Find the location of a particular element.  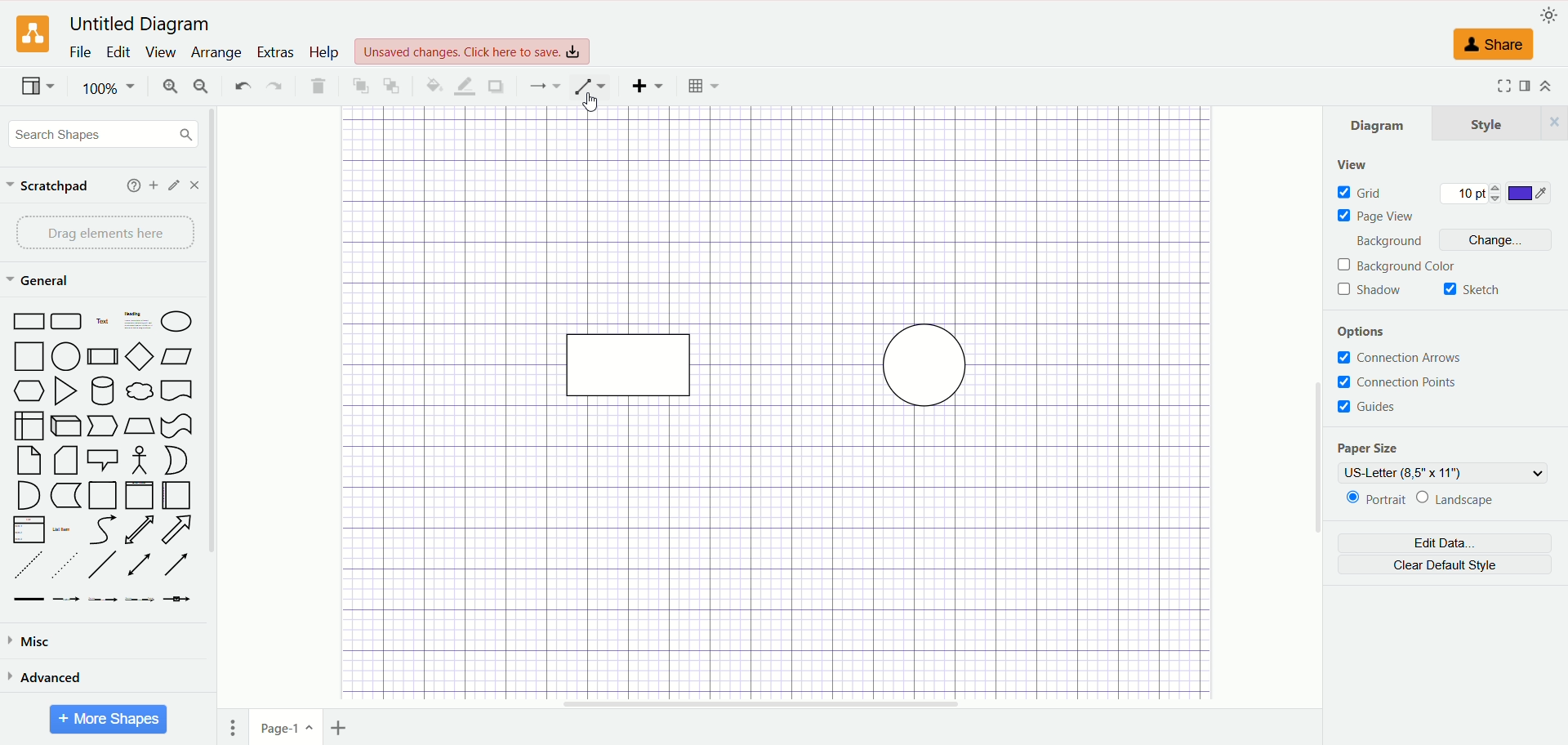

fill color is located at coordinates (431, 85).